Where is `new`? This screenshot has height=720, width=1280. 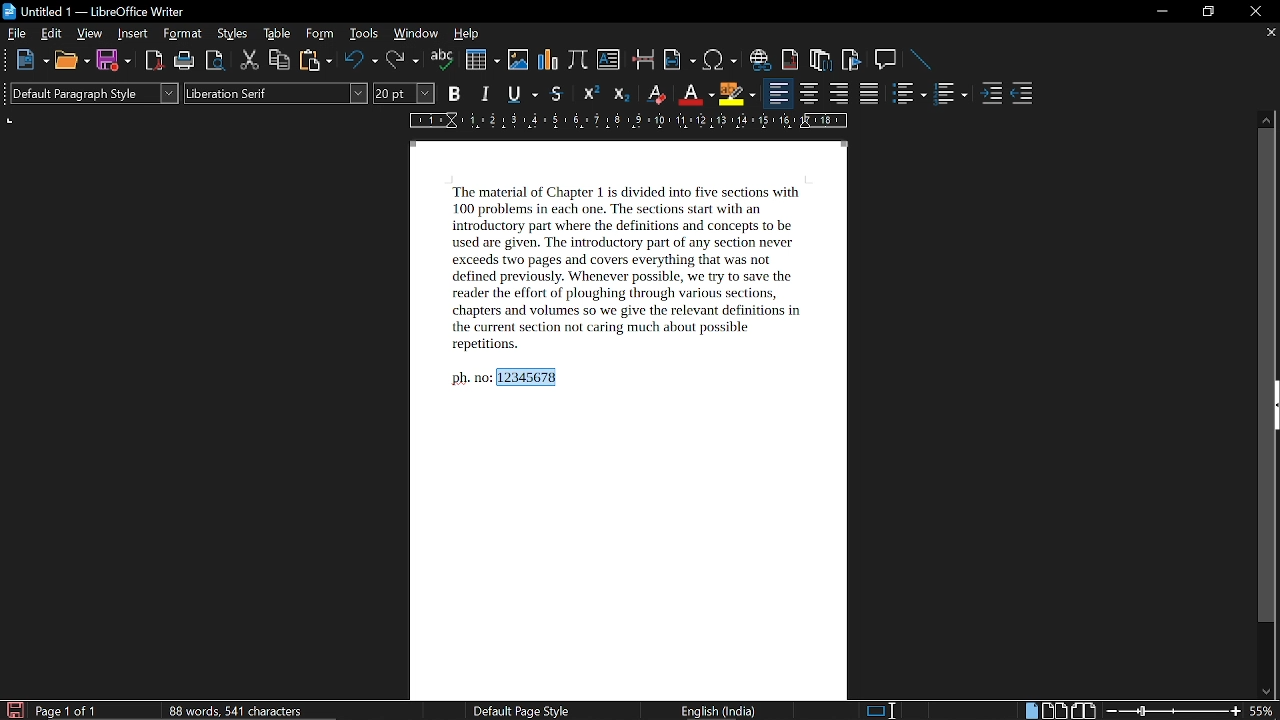
new is located at coordinates (33, 60).